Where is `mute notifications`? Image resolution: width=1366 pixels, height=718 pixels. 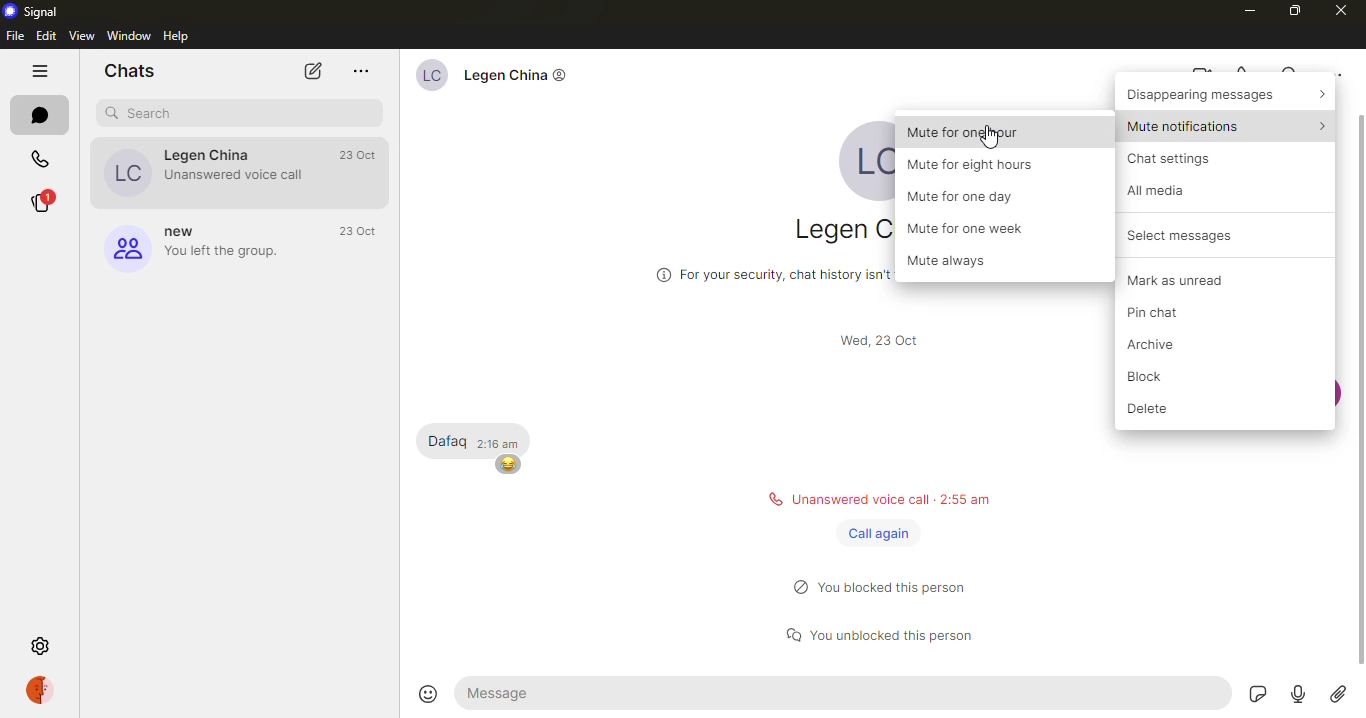
mute notifications is located at coordinates (1229, 124).